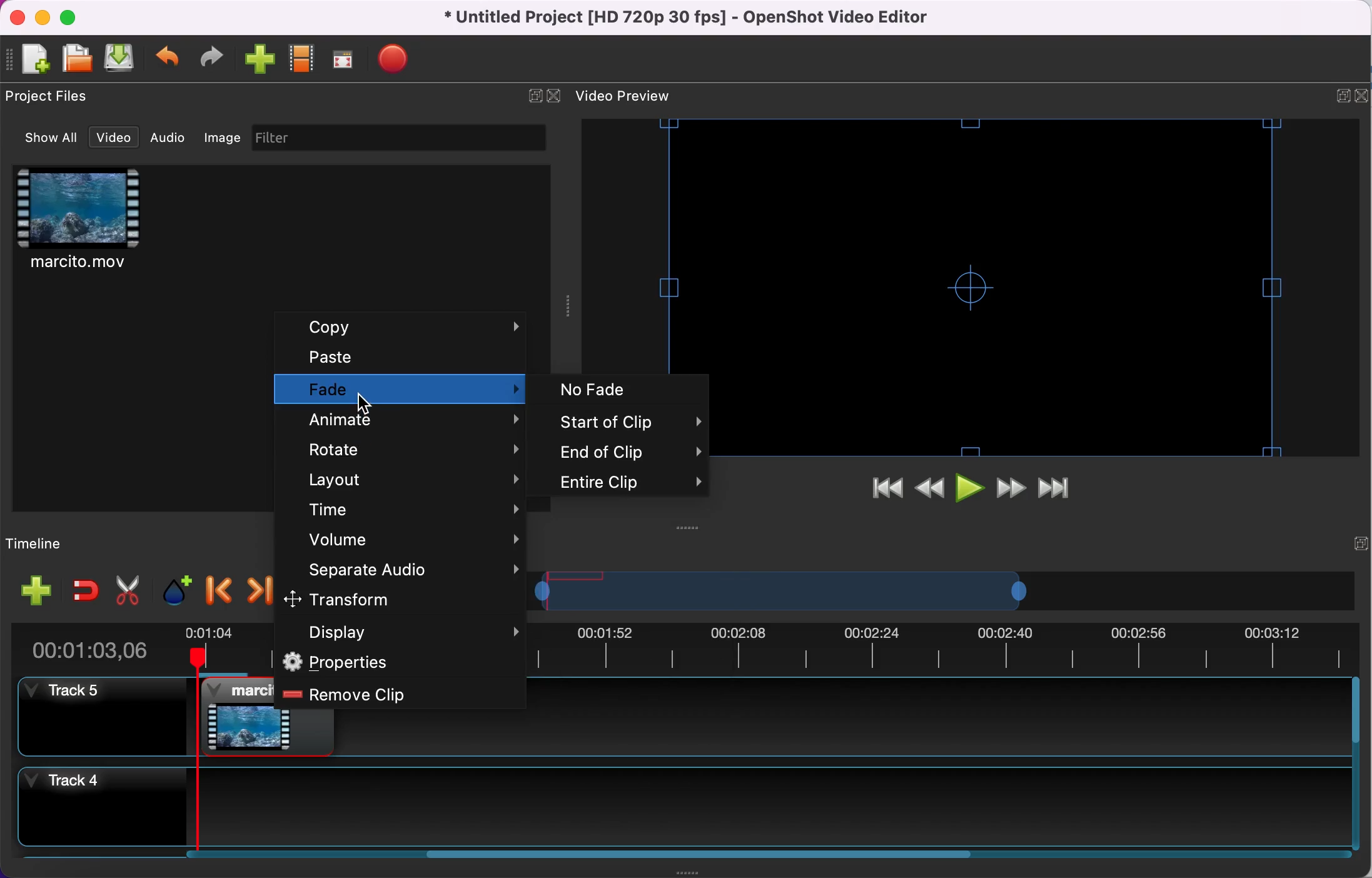 This screenshot has height=878, width=1372. What do you see at coordinates (406, 450) in the screenshot?
I see `rotate` at bounding box center [406, 450].